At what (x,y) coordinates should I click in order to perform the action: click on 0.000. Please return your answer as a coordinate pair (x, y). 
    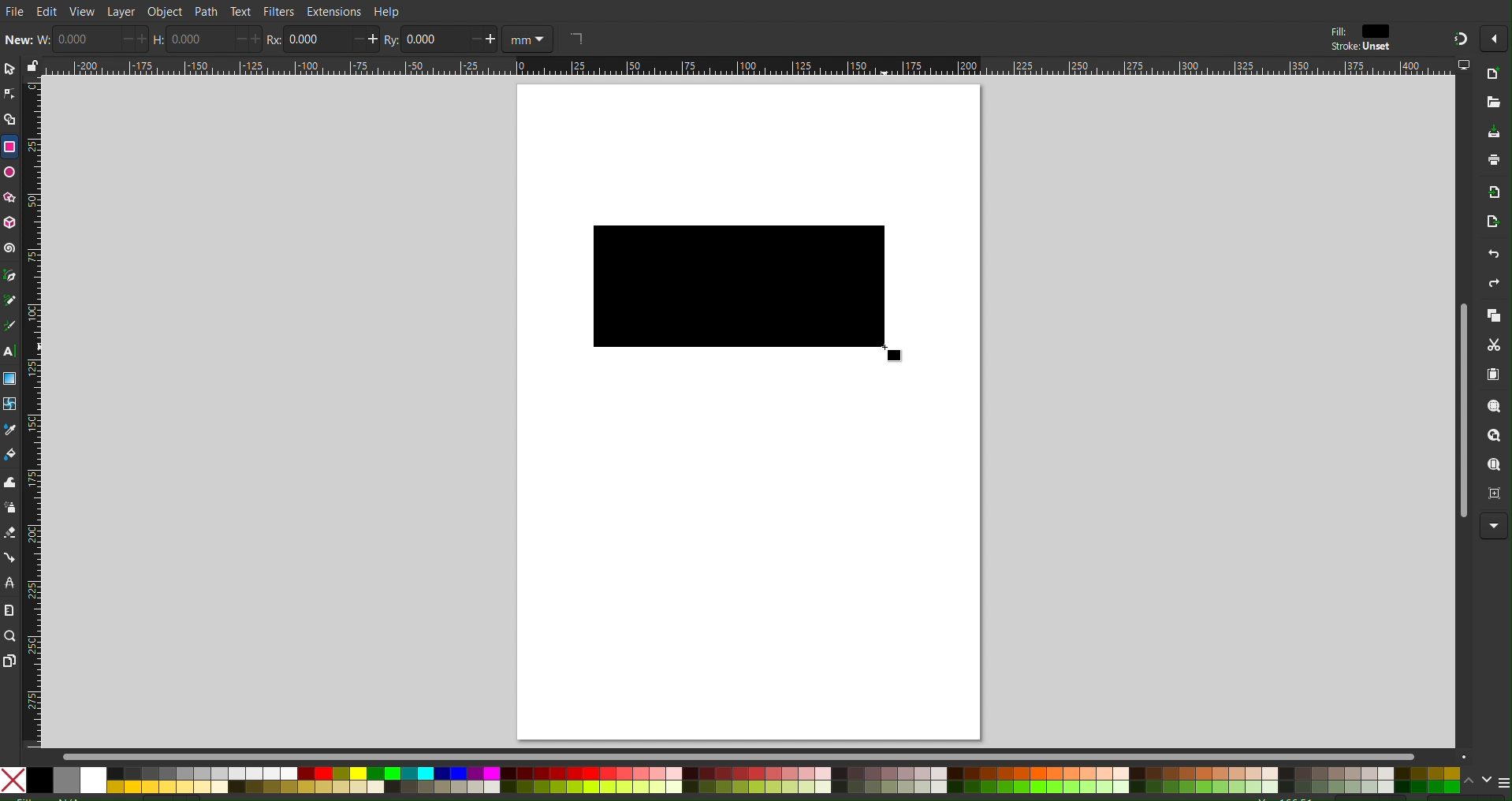
    Looking at the image, I should click on (430, 38).